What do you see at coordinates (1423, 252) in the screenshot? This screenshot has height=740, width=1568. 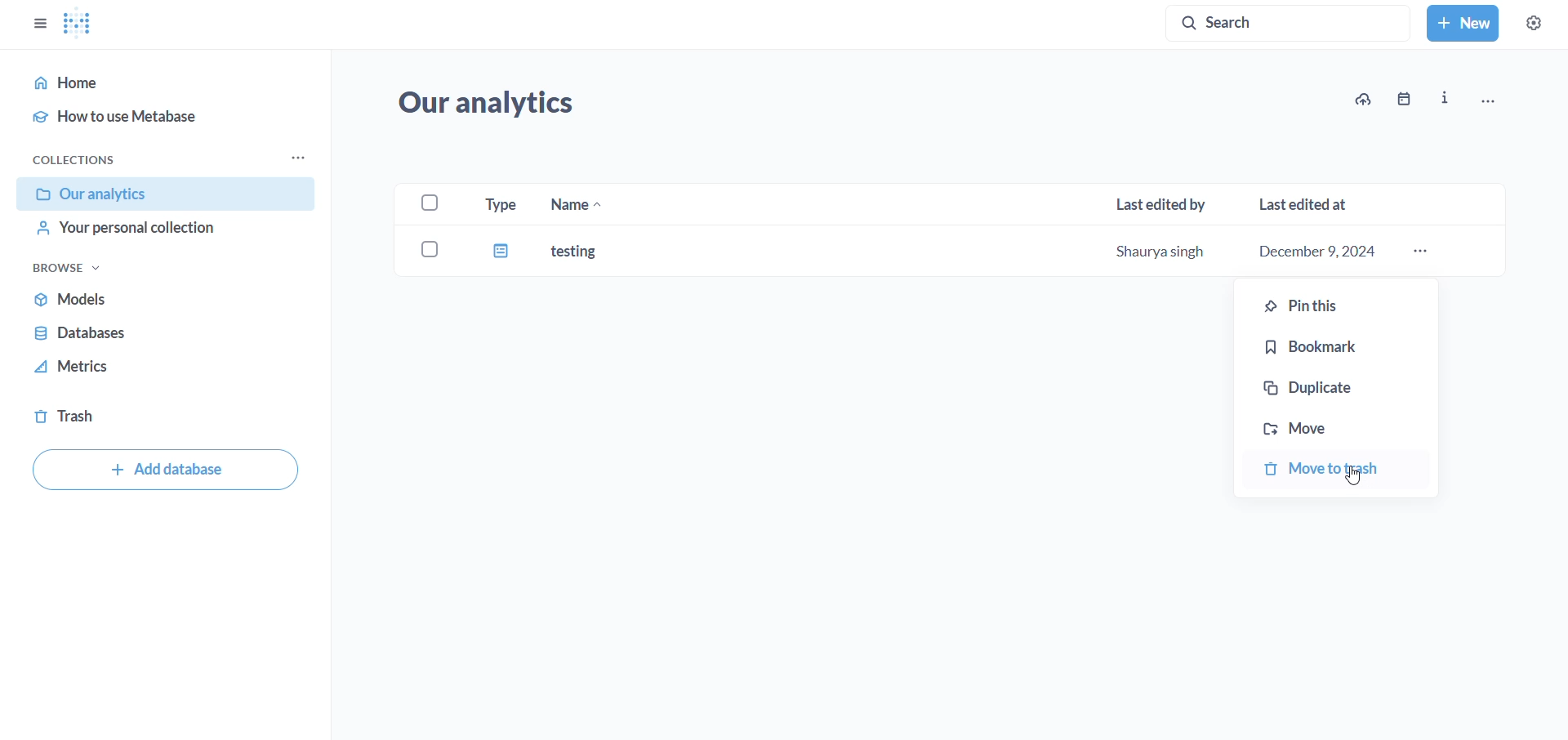 I see `testing dashboard menu` at bounding box center [1423, 252].